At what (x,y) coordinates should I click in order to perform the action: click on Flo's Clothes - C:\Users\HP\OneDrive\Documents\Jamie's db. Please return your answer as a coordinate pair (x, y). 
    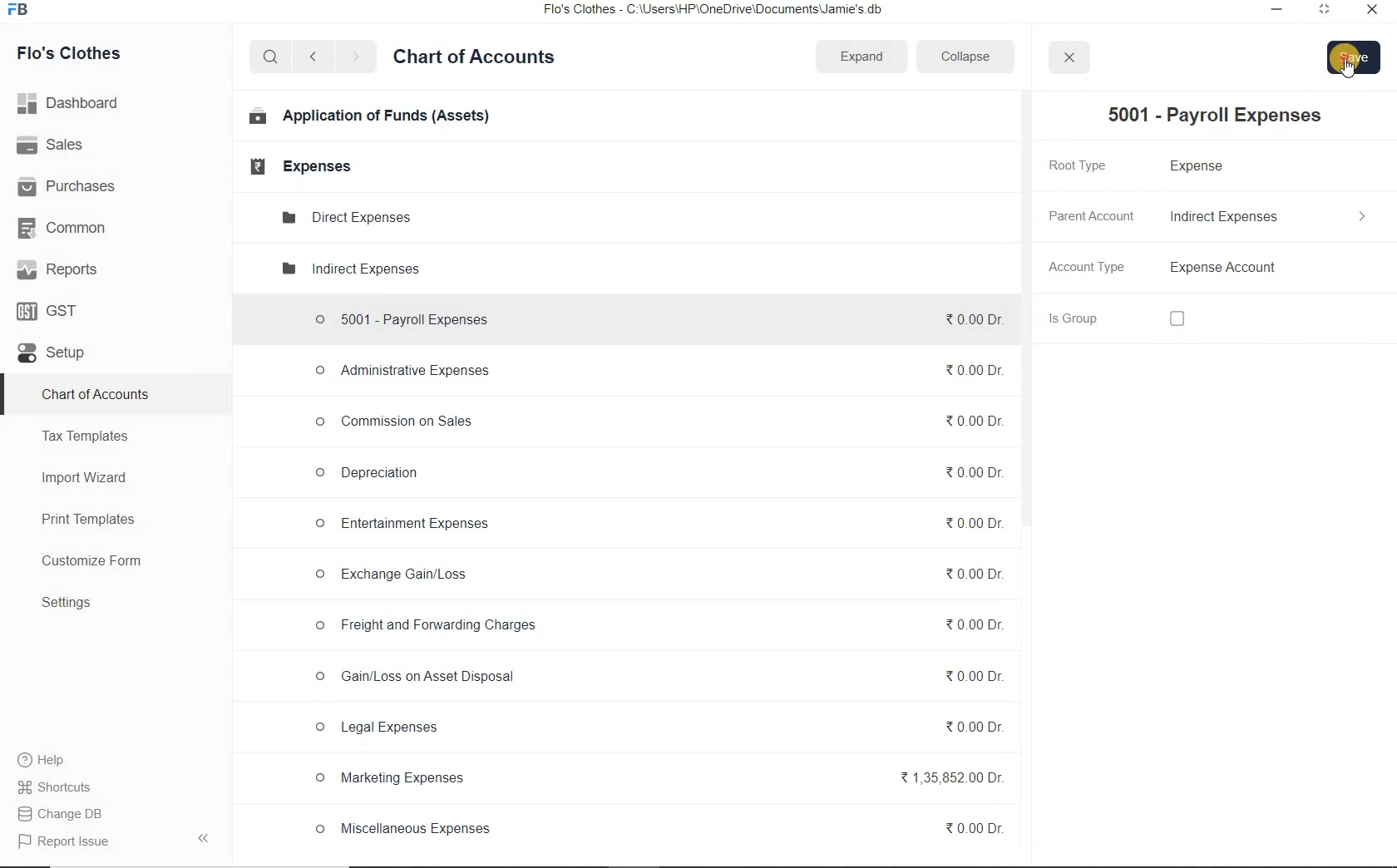
    Looking at the image, I should click on (723, 11).